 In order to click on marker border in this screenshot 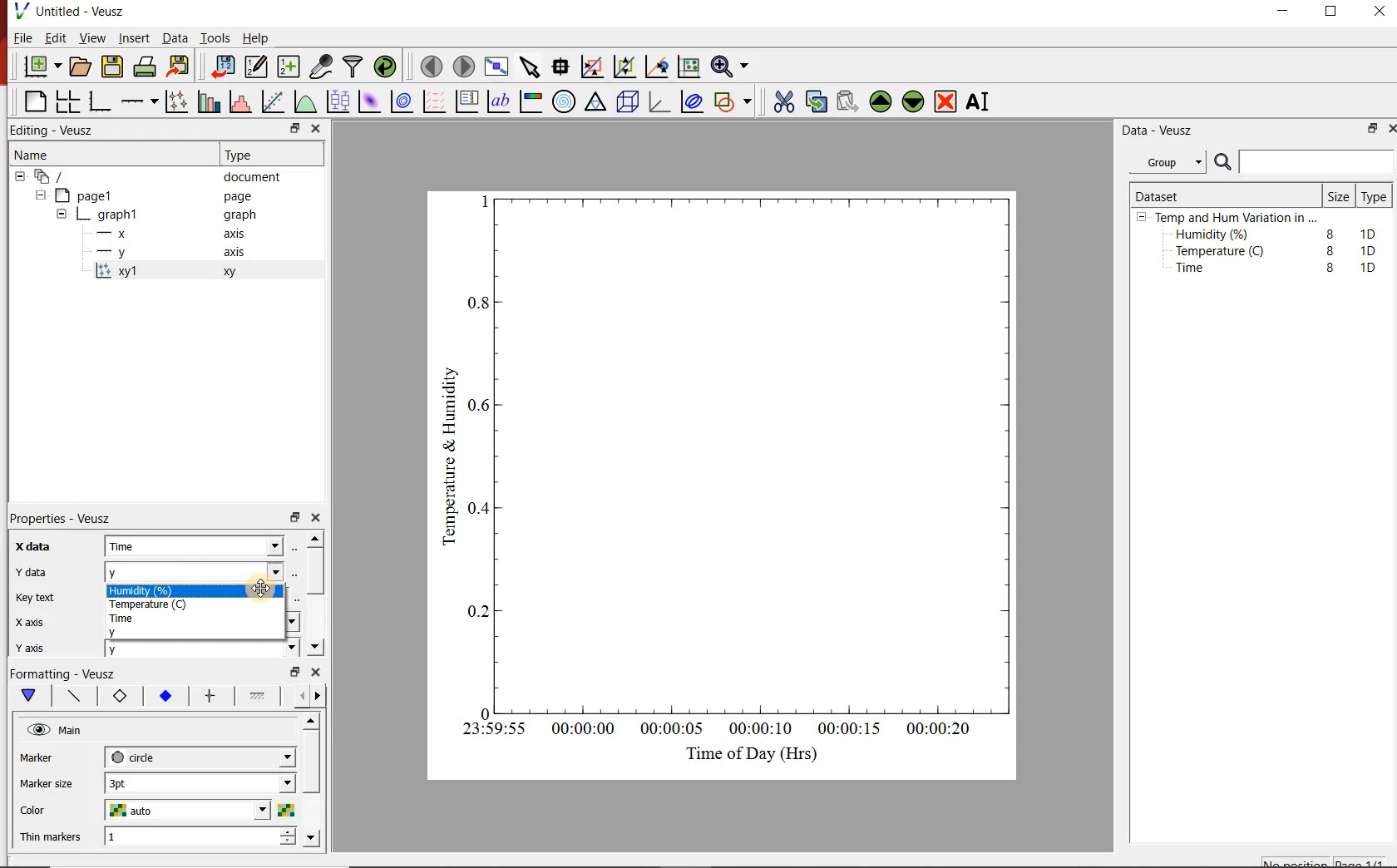, I will do `click(121, 698)`.